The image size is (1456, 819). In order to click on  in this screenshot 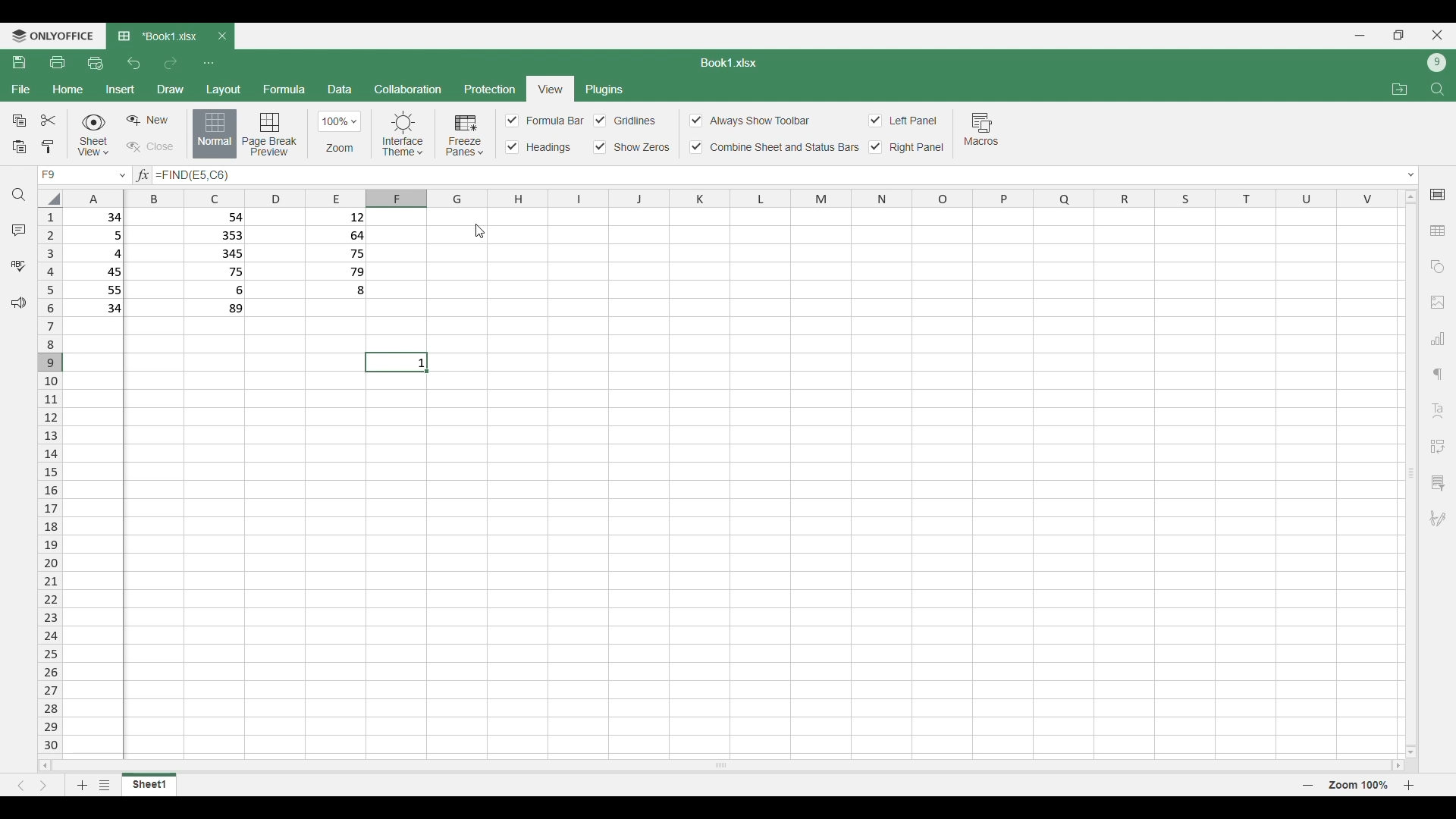, I will do `click(544, 121)`.